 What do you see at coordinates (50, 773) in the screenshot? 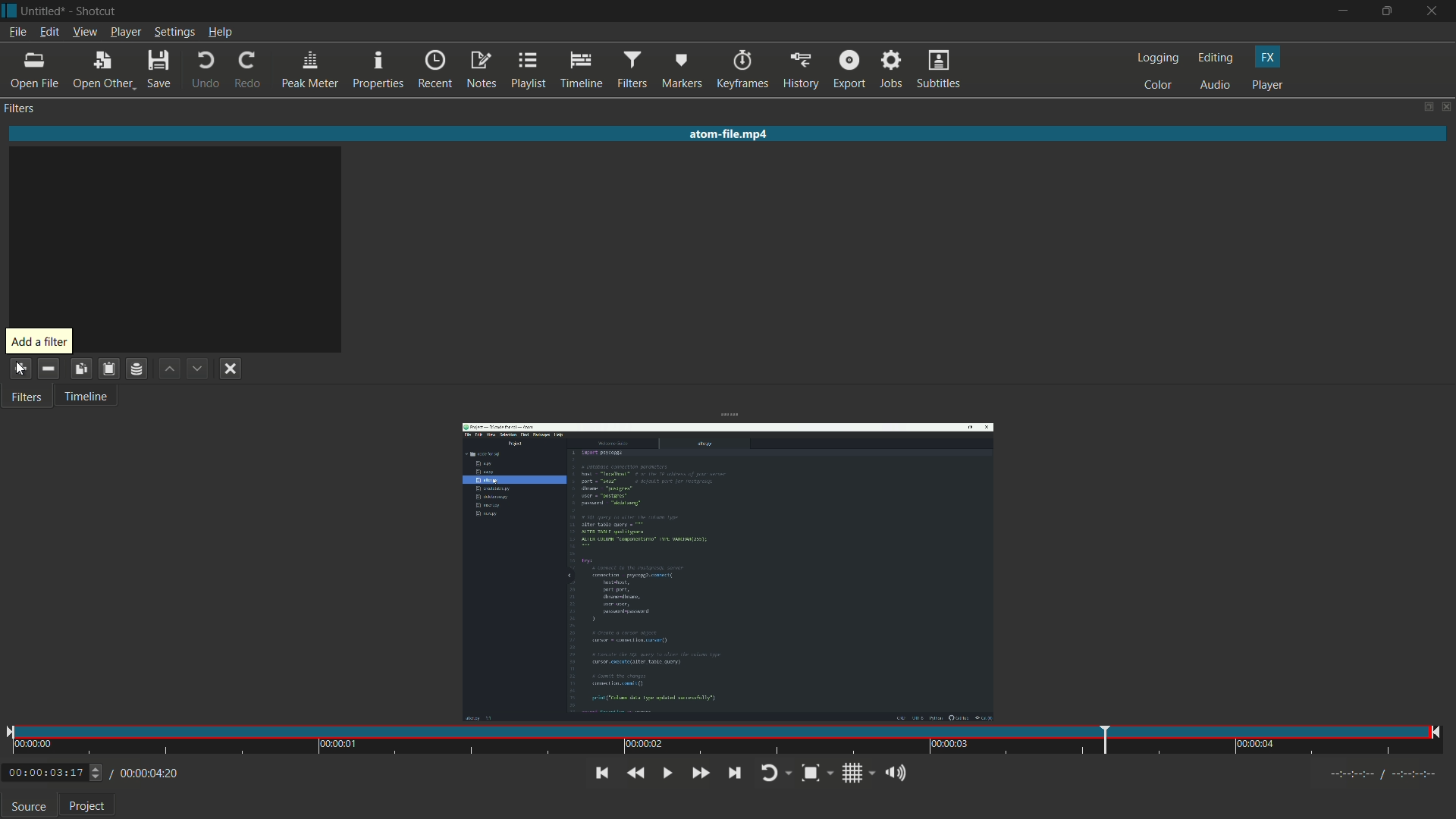
I see `/00:00:03:17` at bounding box center [50, 773].